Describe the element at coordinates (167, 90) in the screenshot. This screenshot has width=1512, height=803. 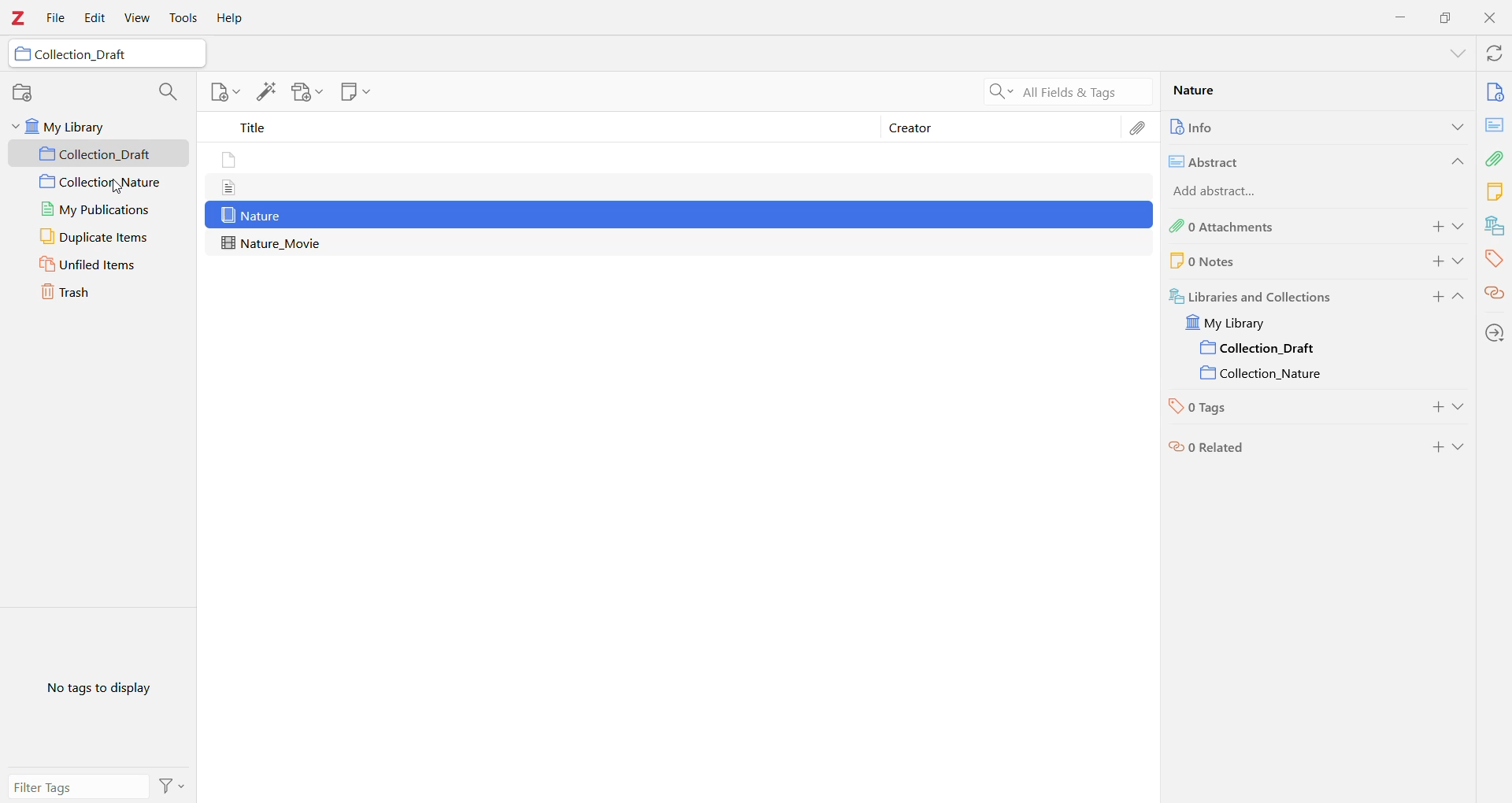
I see `Filter Collections` at that location.